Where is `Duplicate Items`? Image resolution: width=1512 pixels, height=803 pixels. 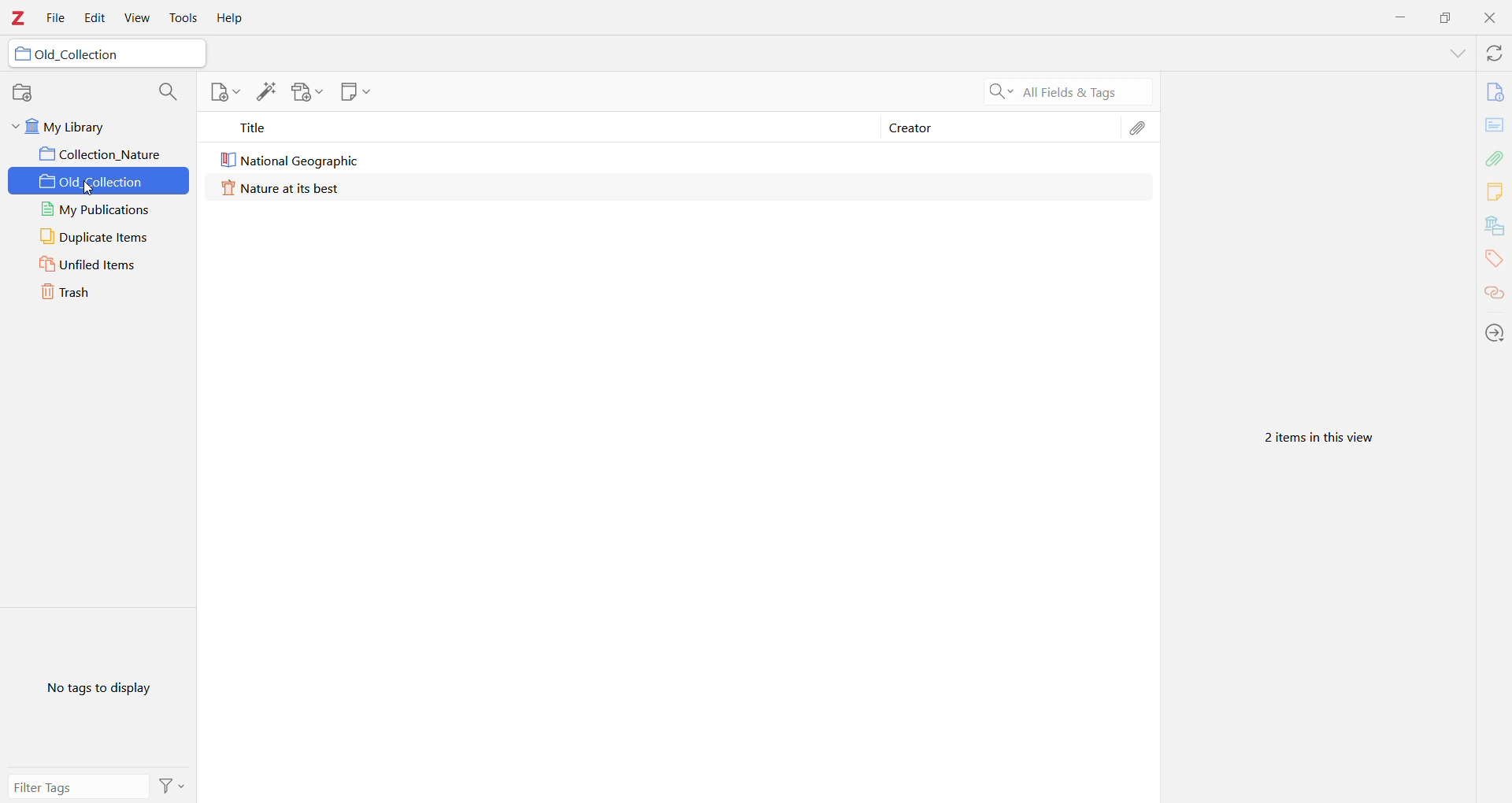
Duplicate Items is located at coordinates (99, 238).